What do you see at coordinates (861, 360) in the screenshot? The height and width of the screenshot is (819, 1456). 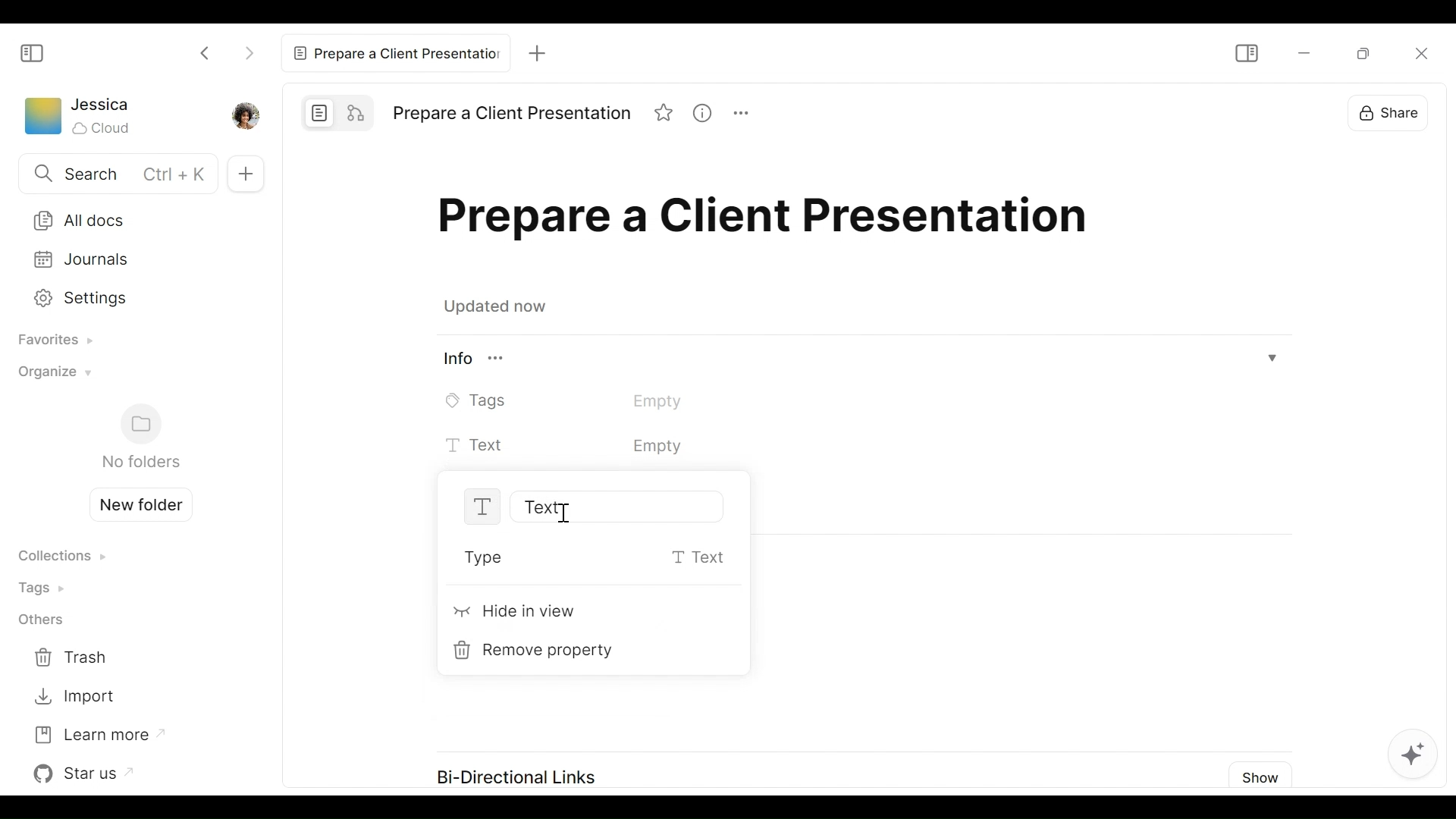 I see `View Information` at bounding box center [861, 360].